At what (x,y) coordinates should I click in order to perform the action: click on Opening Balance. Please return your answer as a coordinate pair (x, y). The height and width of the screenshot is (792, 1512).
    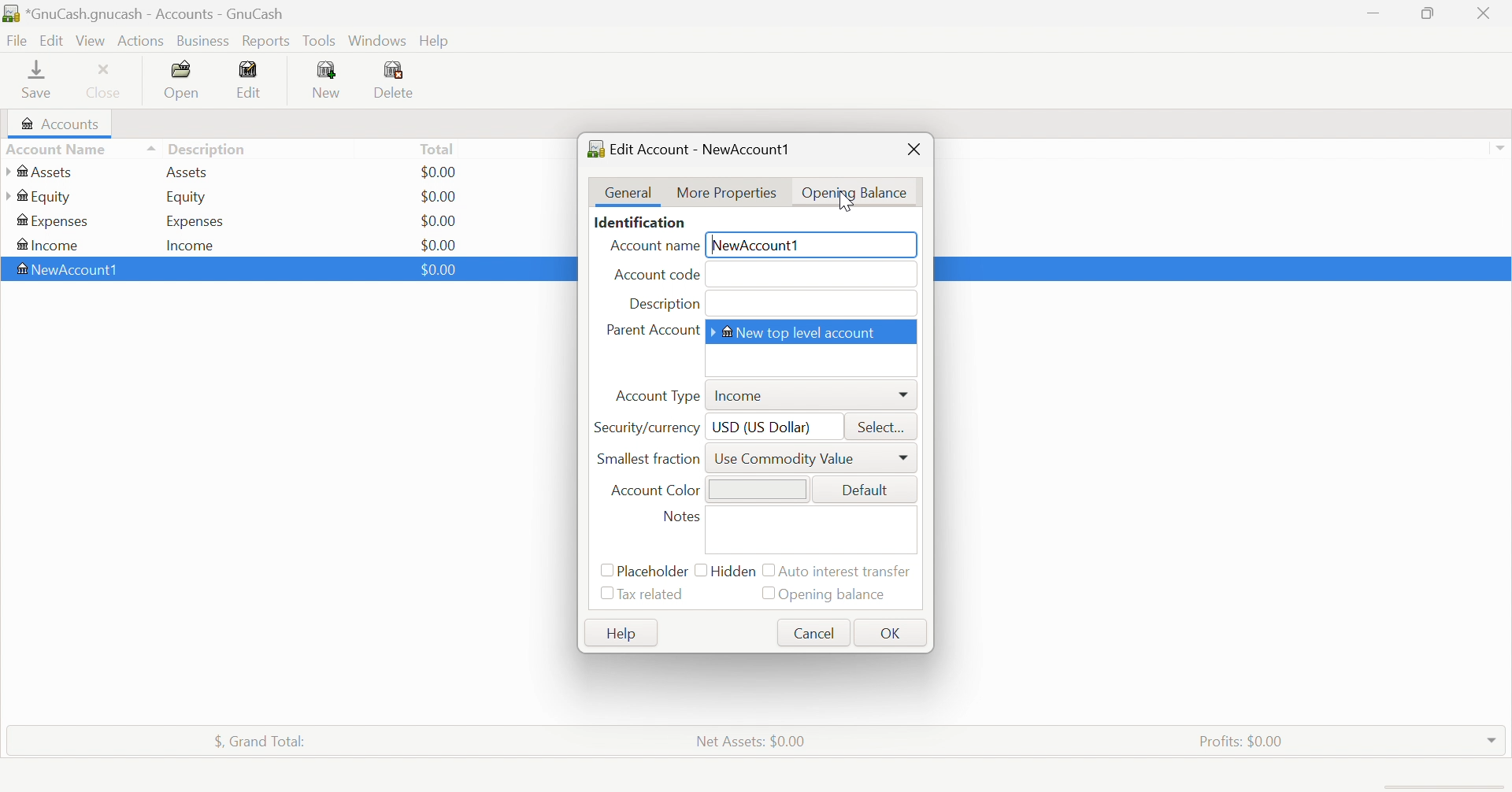
    Looking at the image, I should click on (851, 191).